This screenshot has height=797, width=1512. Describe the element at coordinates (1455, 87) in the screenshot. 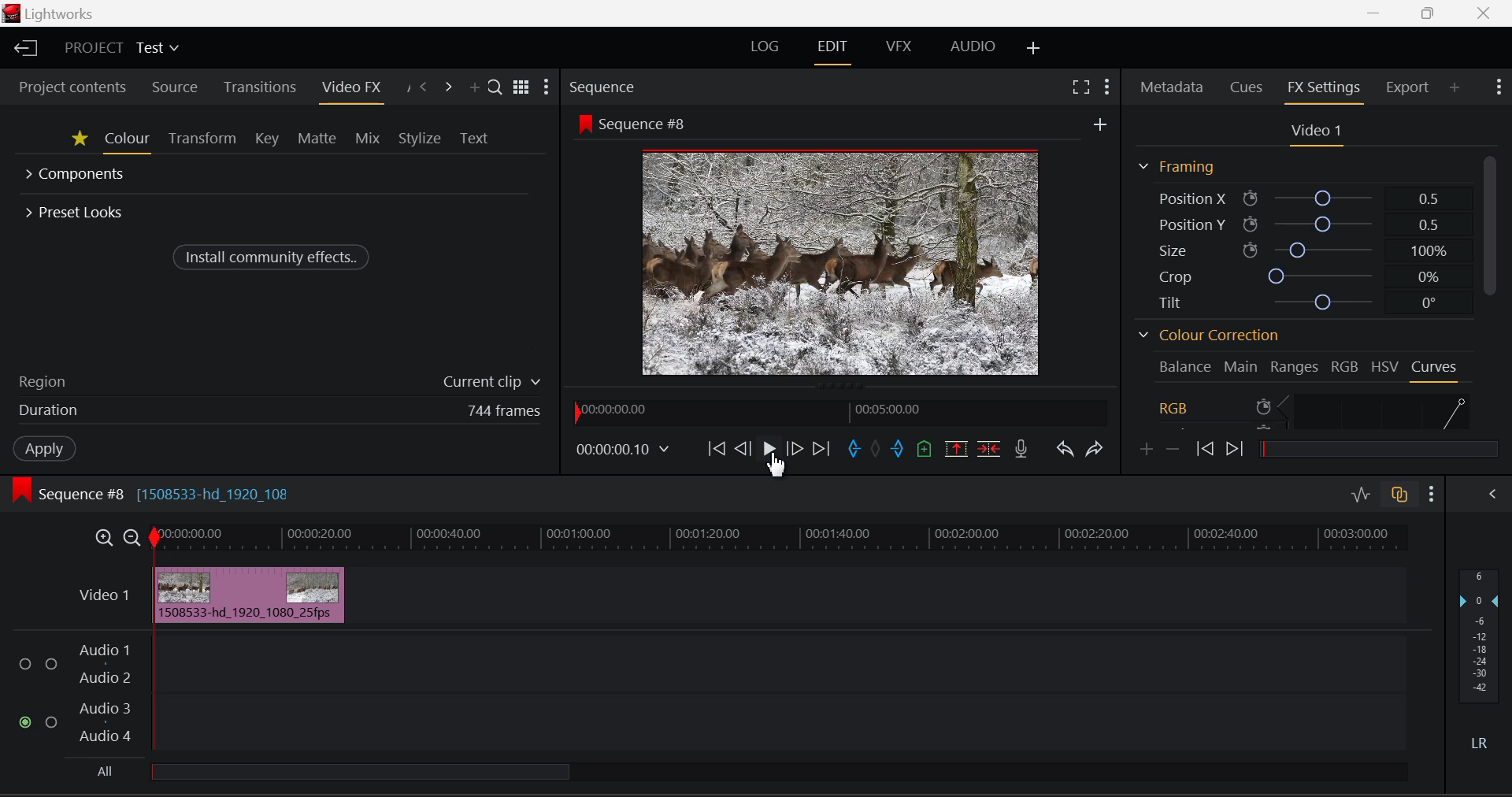

I see `Add Panel` at that location.